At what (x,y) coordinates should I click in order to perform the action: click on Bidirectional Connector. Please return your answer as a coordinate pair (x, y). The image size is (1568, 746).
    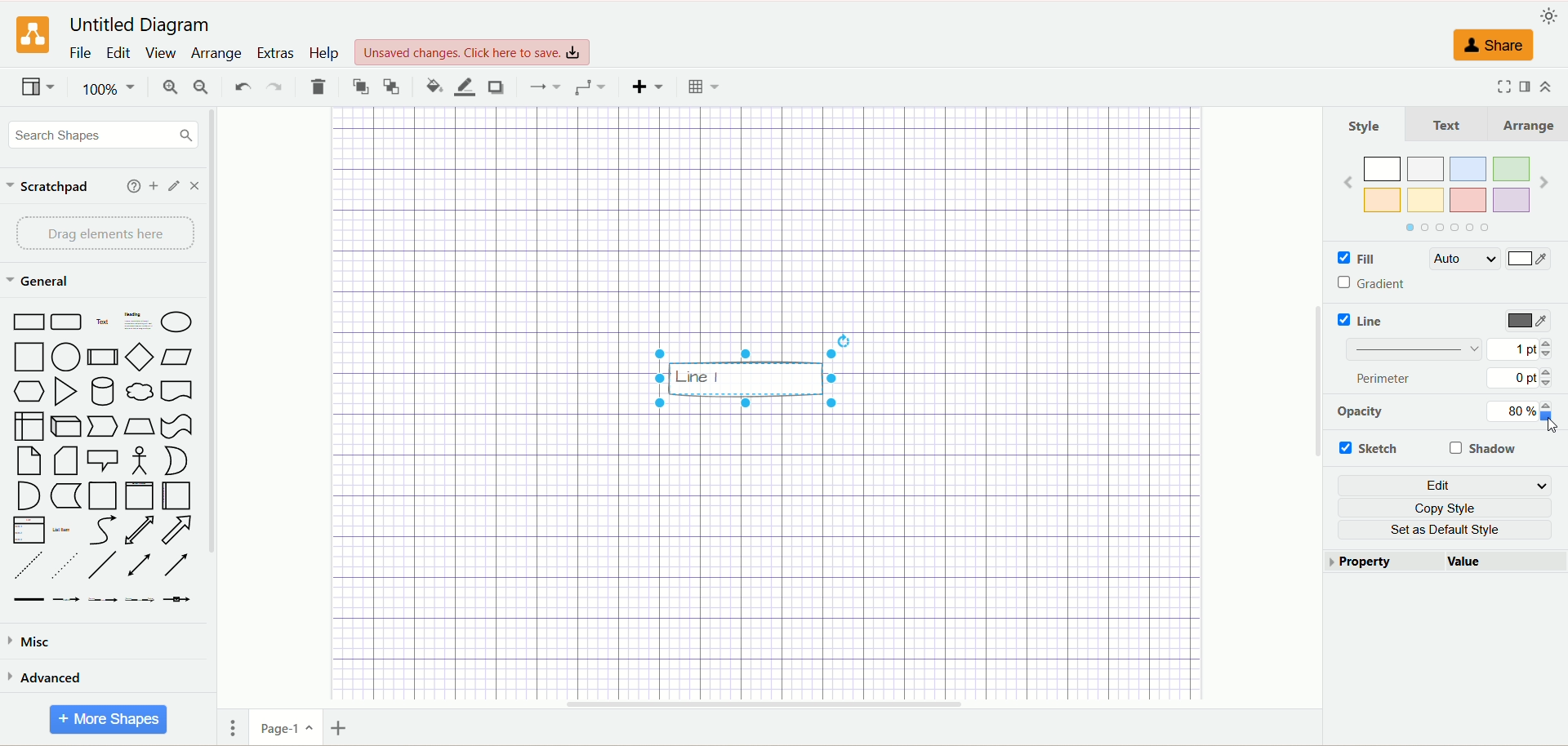
    Looking at the image, I should click on (140, 565).